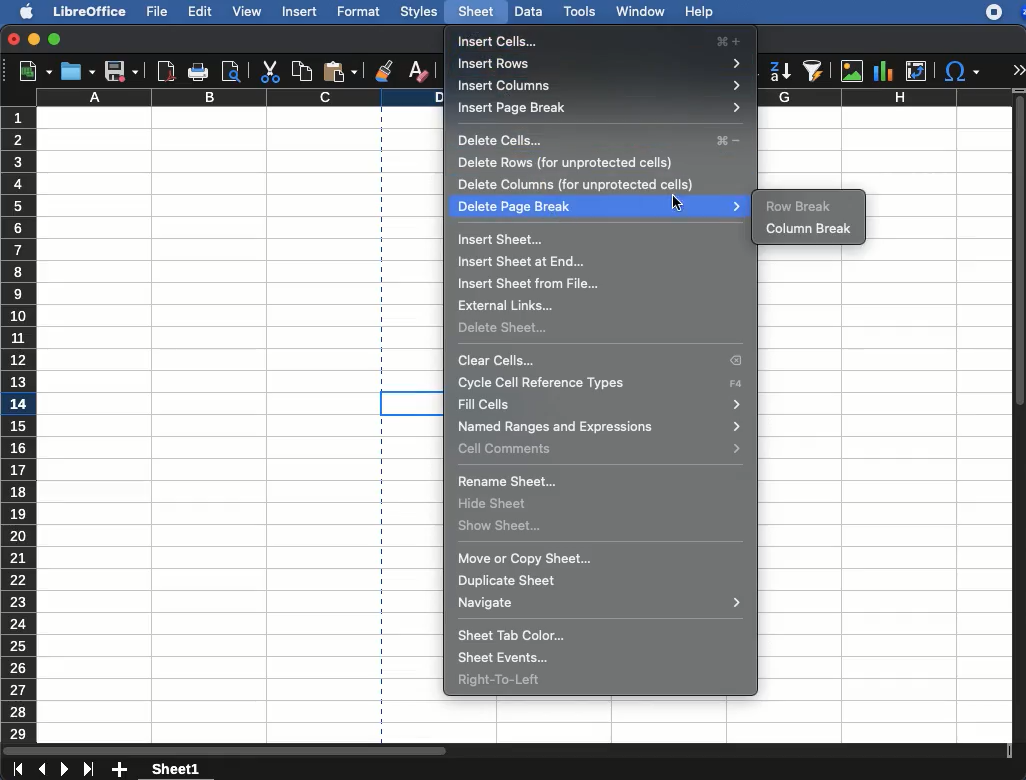 The image size is (1026, 780). What do you see at coordinates (507, 659) in the screenshot?
I see `sheet events` at bounding box center [507, 659].